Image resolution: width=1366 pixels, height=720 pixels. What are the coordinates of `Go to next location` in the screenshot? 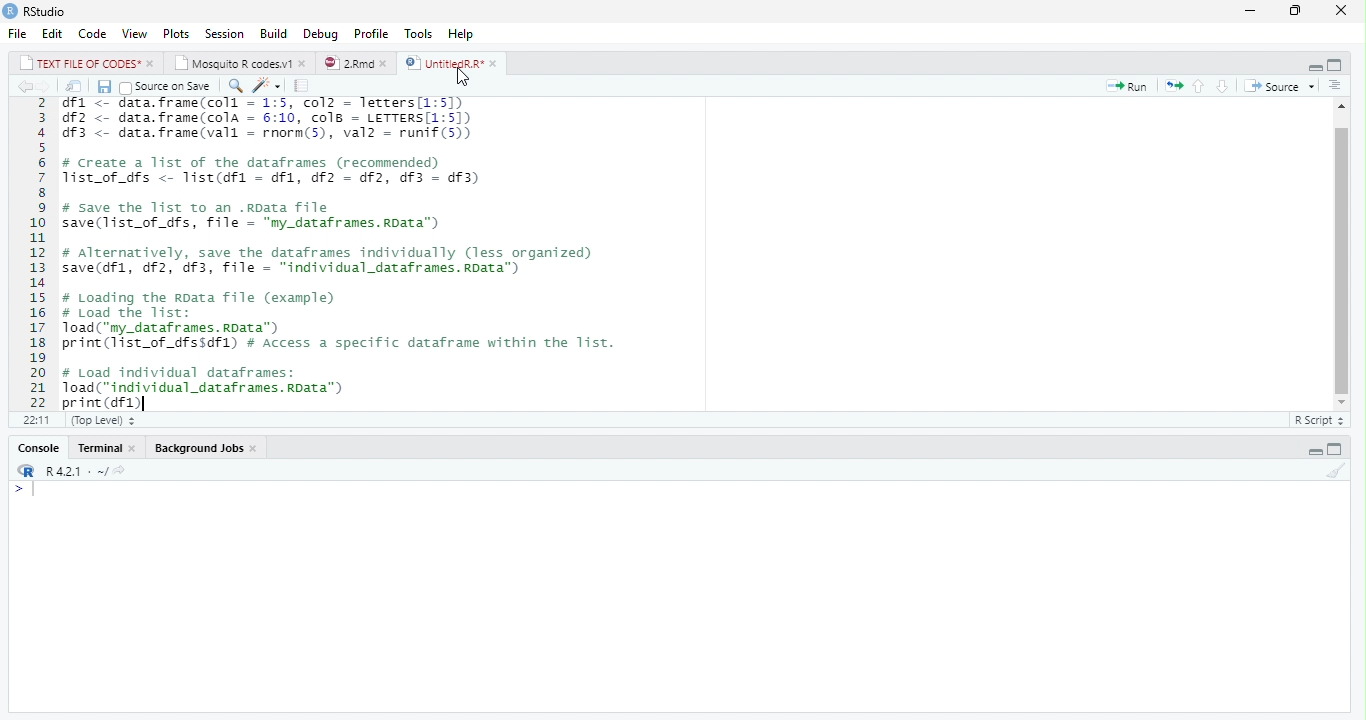 It's located at (45, 87).